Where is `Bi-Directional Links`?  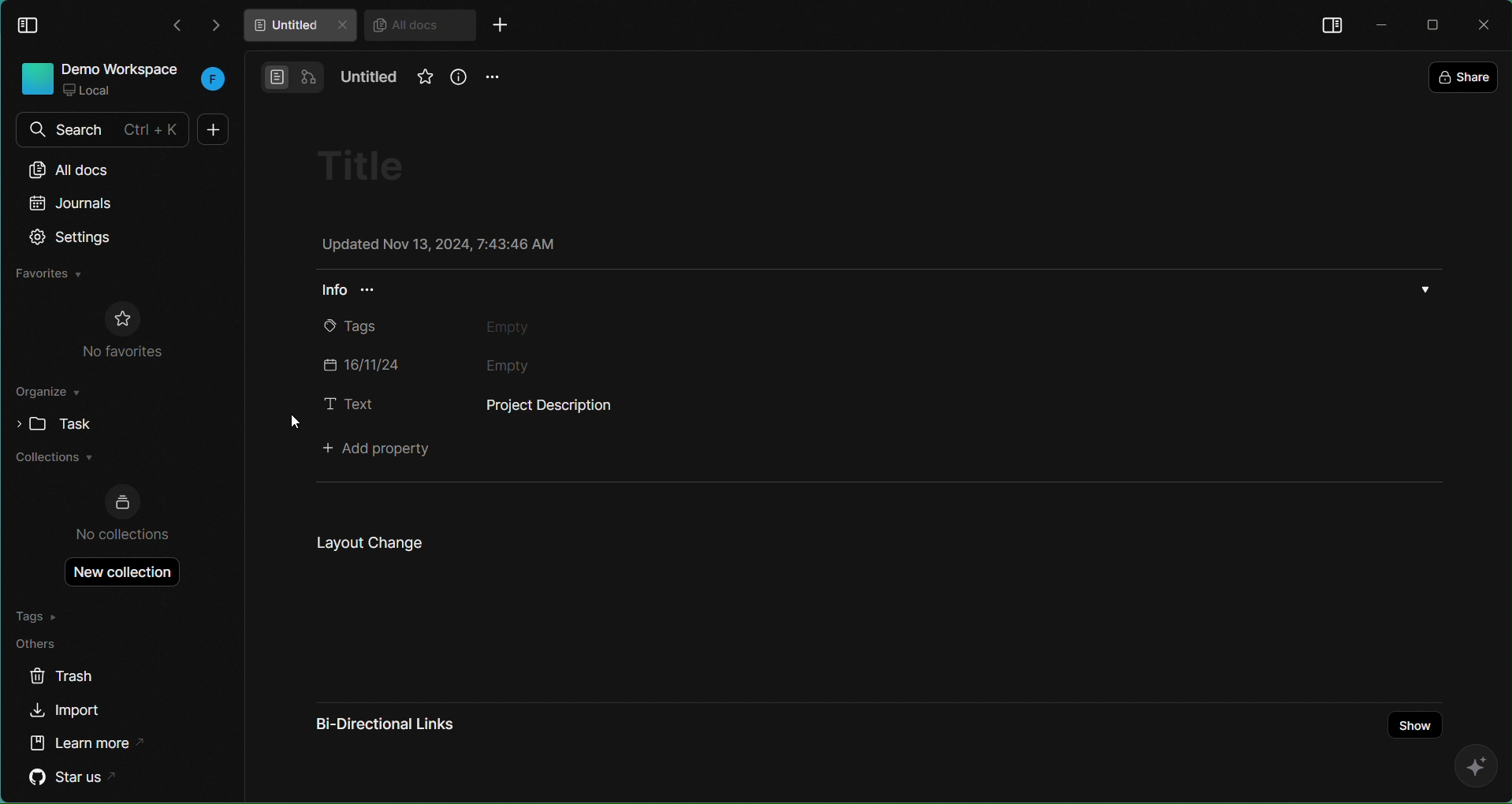
Bi-Directional Links is located at coordinates (385, 723).